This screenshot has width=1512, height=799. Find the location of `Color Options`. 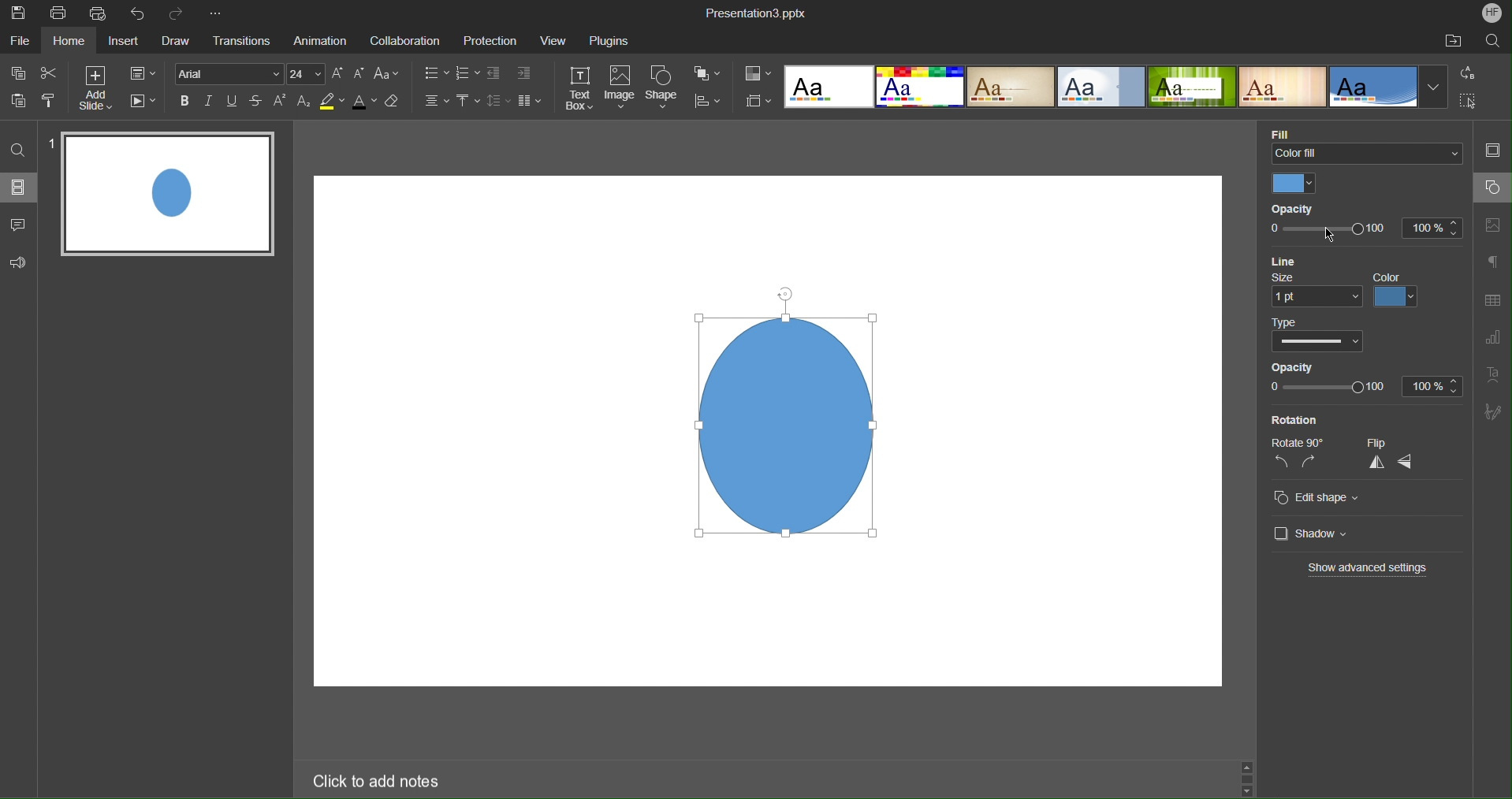

Color Options is located at coordinates (758, 72).